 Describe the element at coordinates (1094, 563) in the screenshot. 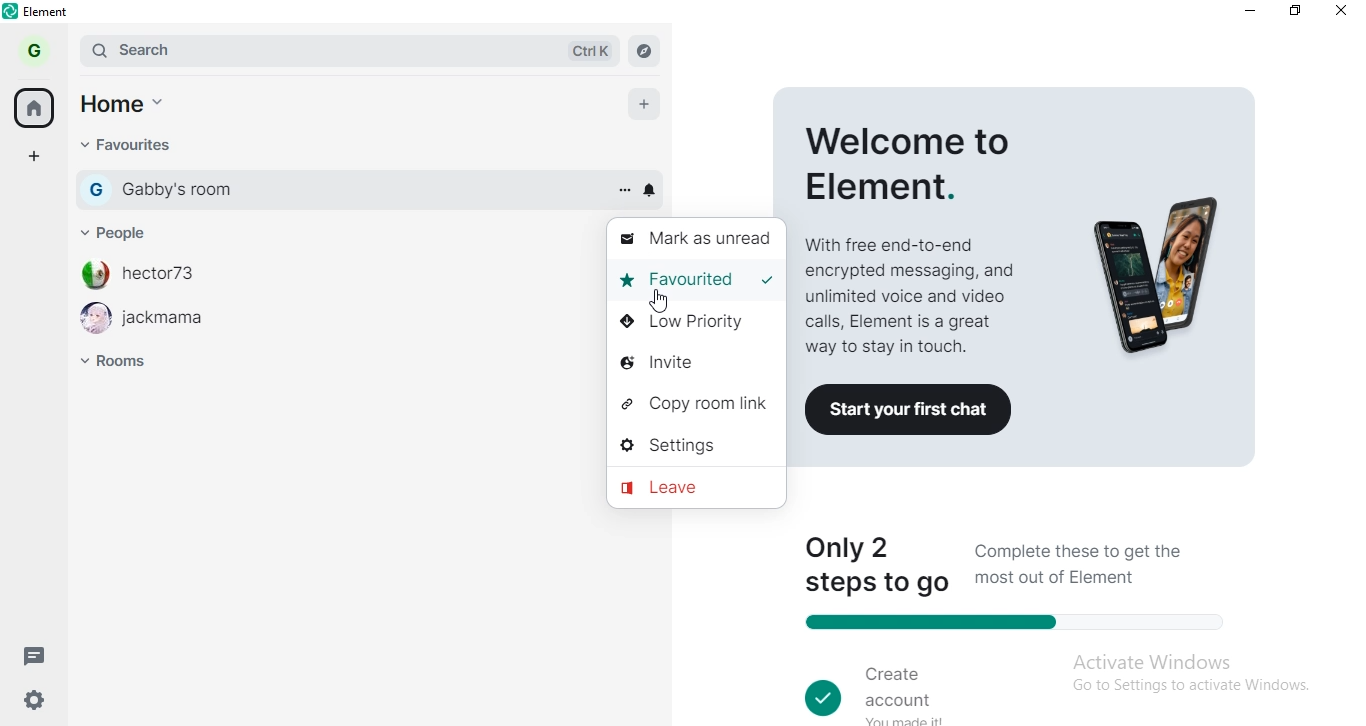

I see `Complete these to get the
most out of Element` at that location.